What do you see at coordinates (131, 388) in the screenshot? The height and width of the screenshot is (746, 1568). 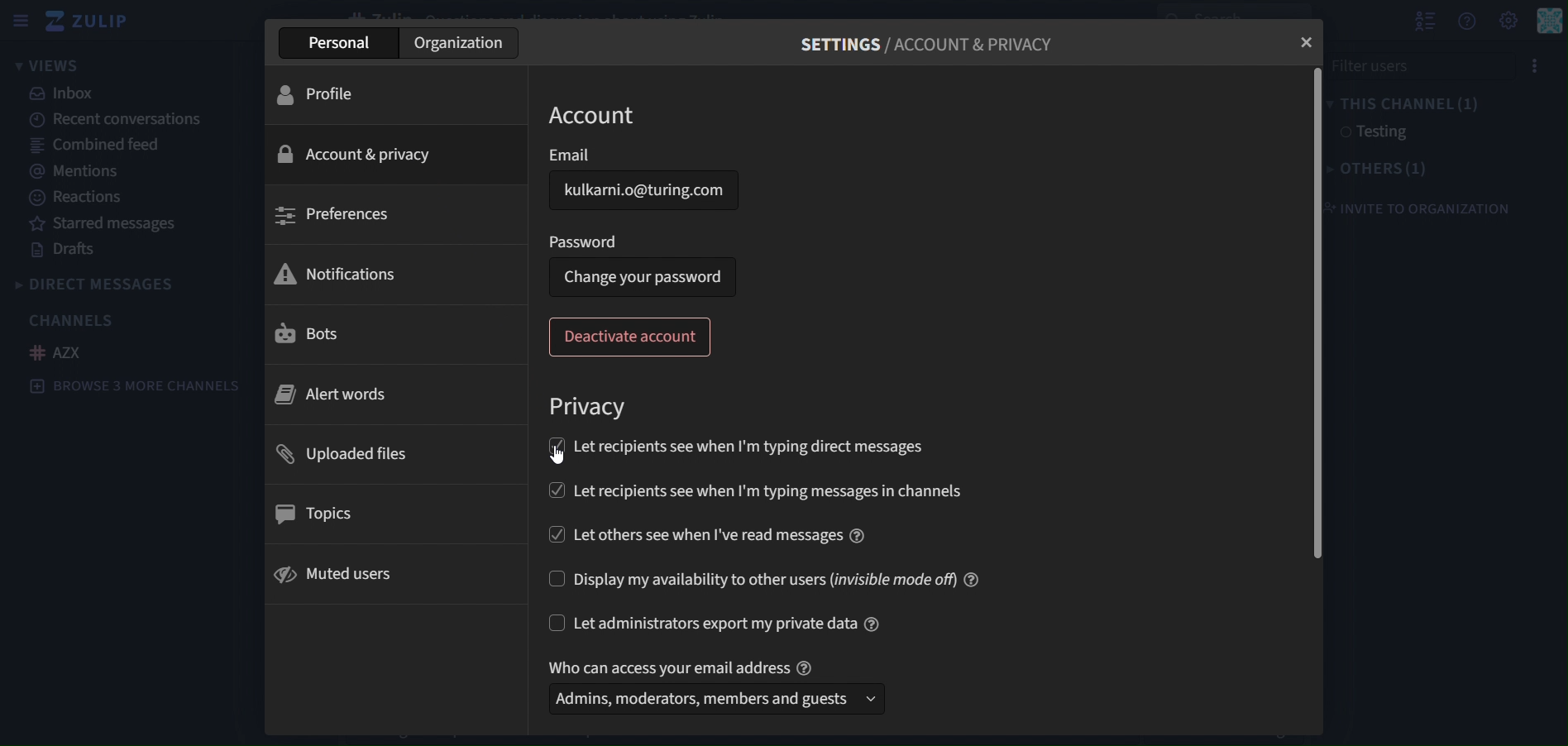 I see `browse 3 more channels` at bounding box center [131, 388].